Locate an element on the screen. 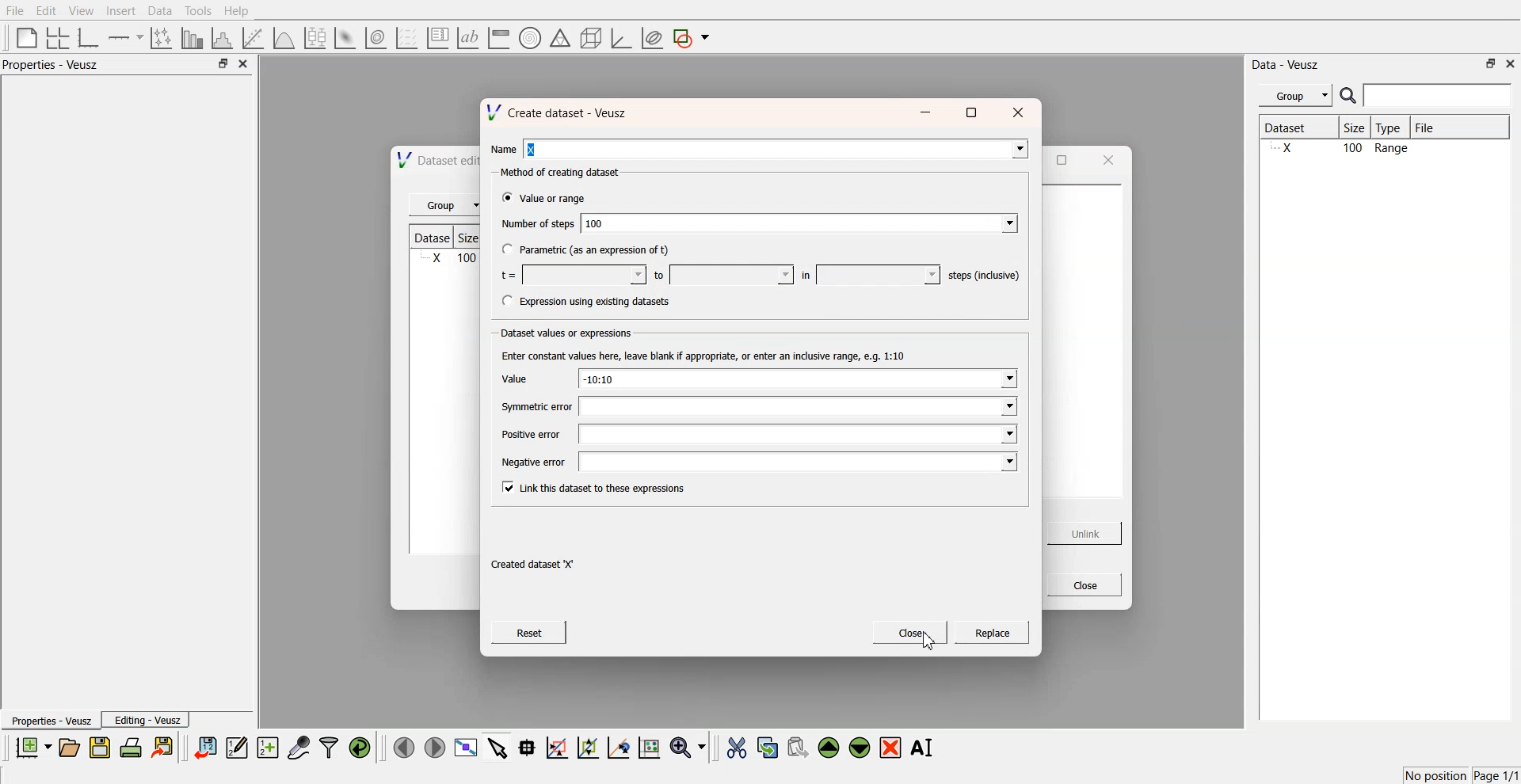 Image resolution: width=1521 pixels, height=784 pixels. cursor is located at coordinates (928, 645).